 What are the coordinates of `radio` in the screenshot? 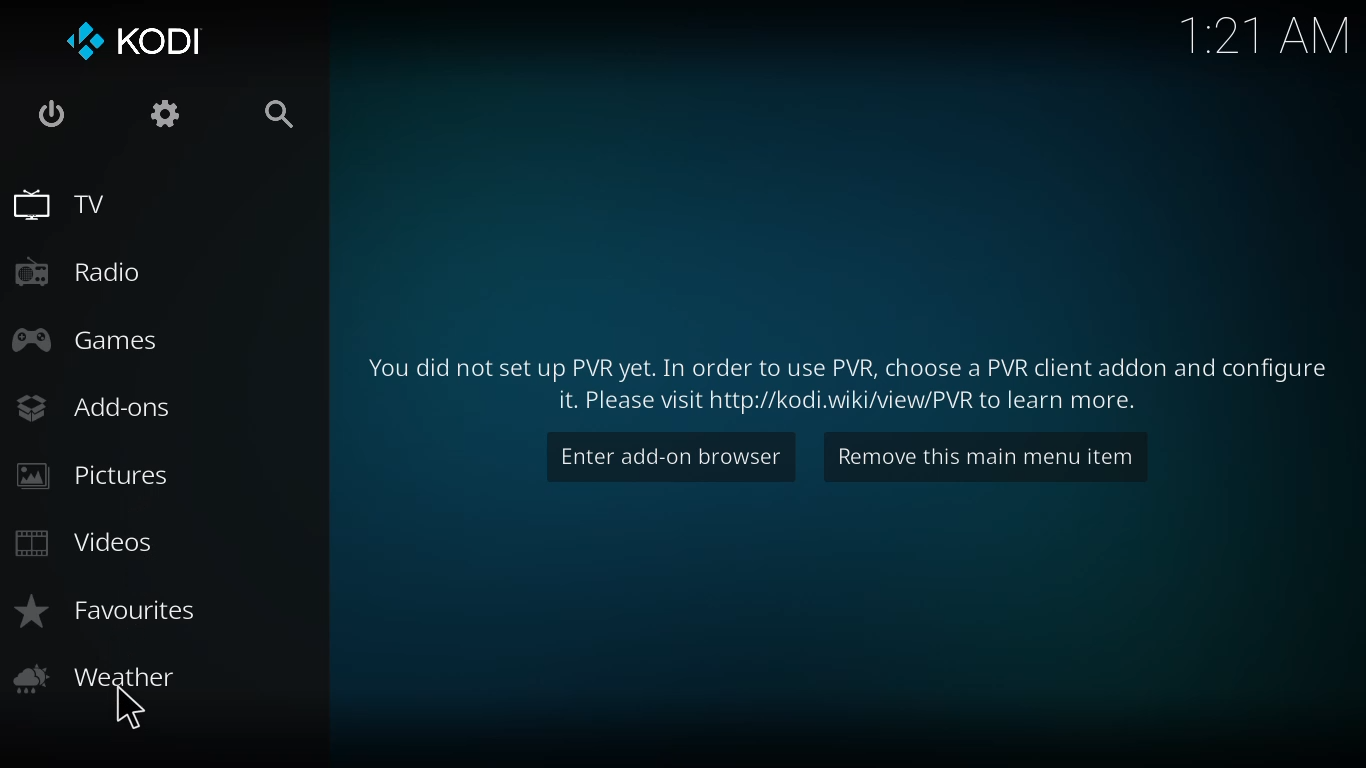 It's located at (75, 271).